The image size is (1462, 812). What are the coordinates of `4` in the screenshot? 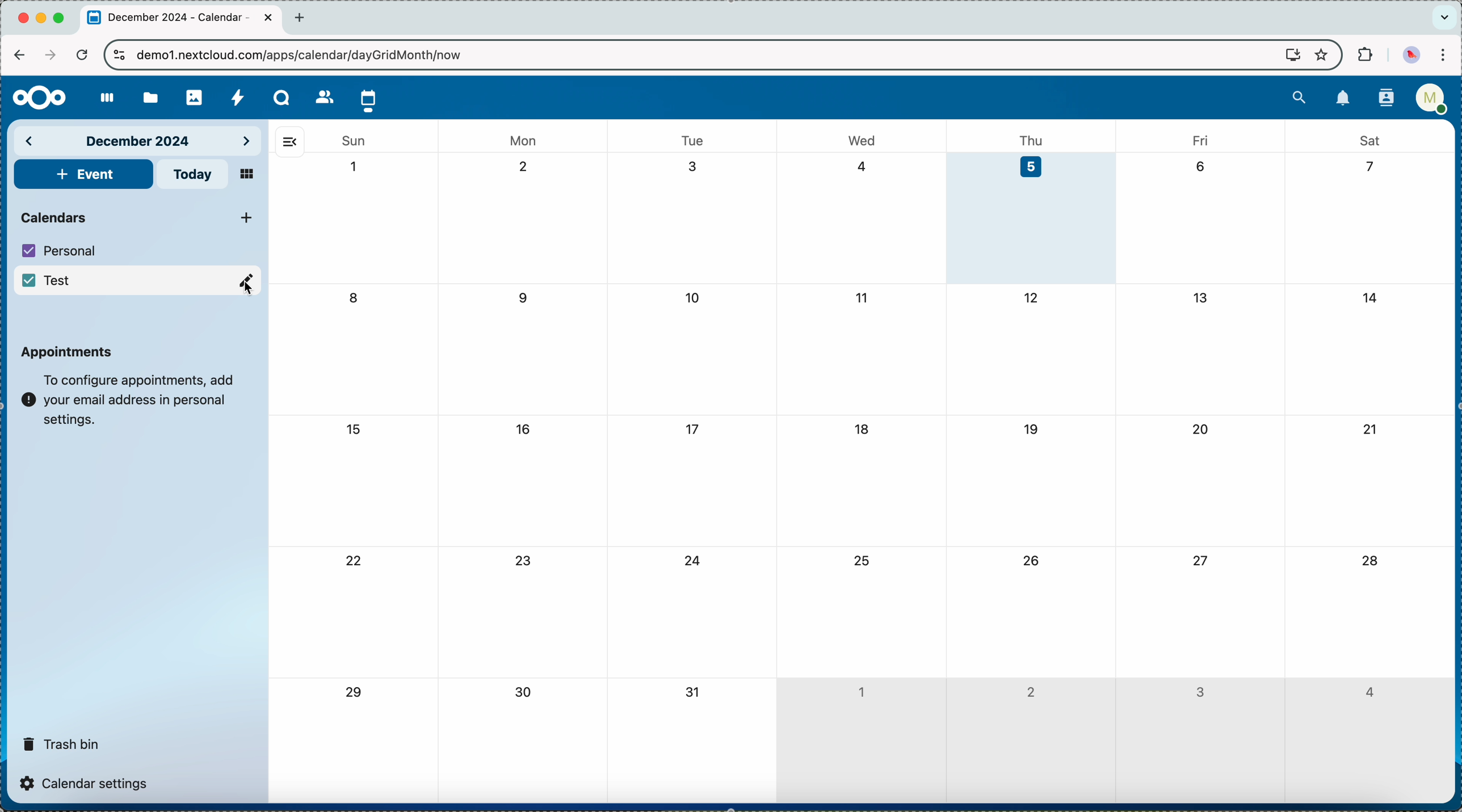 It's located at (1368, 692).